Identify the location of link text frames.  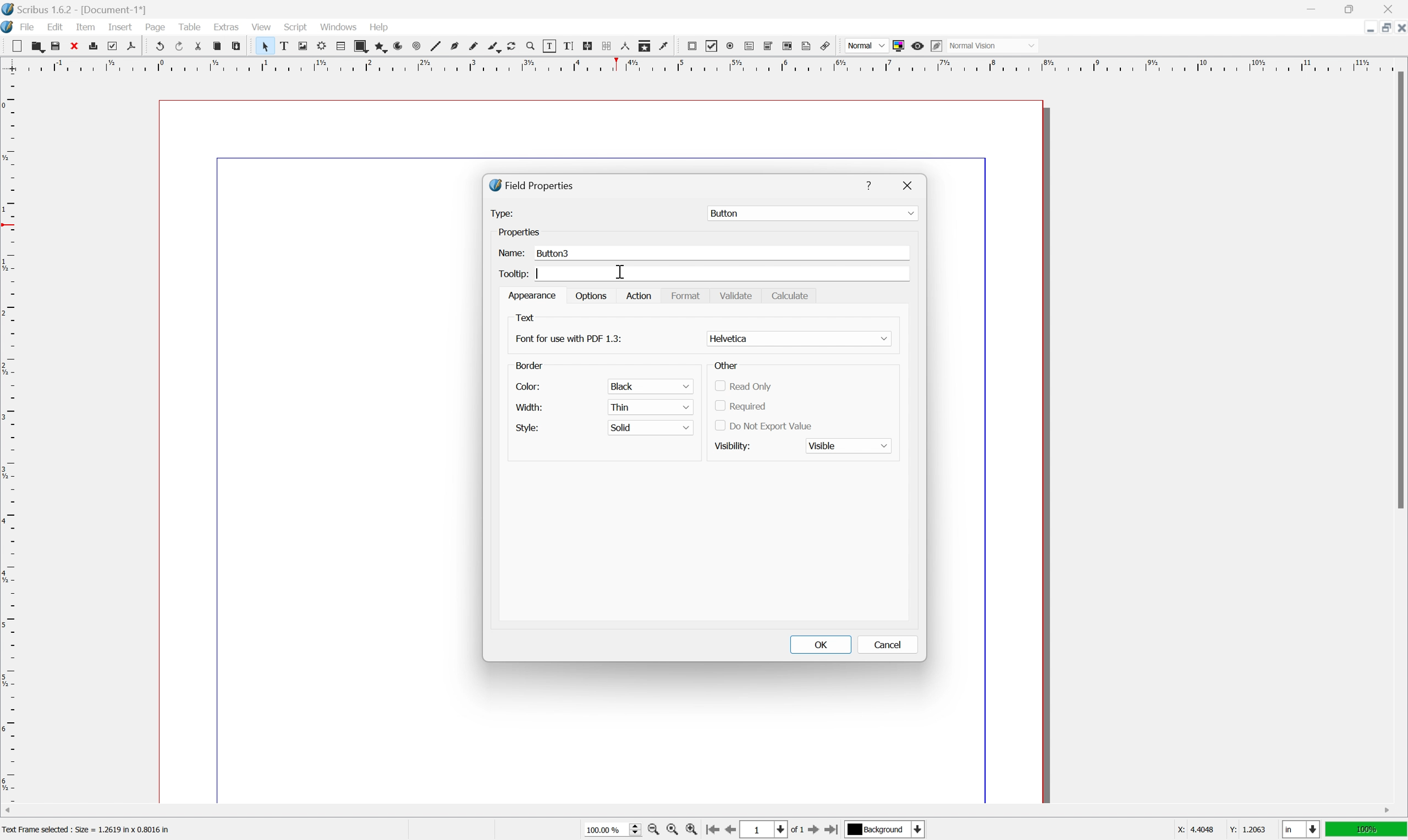
(588, 45).